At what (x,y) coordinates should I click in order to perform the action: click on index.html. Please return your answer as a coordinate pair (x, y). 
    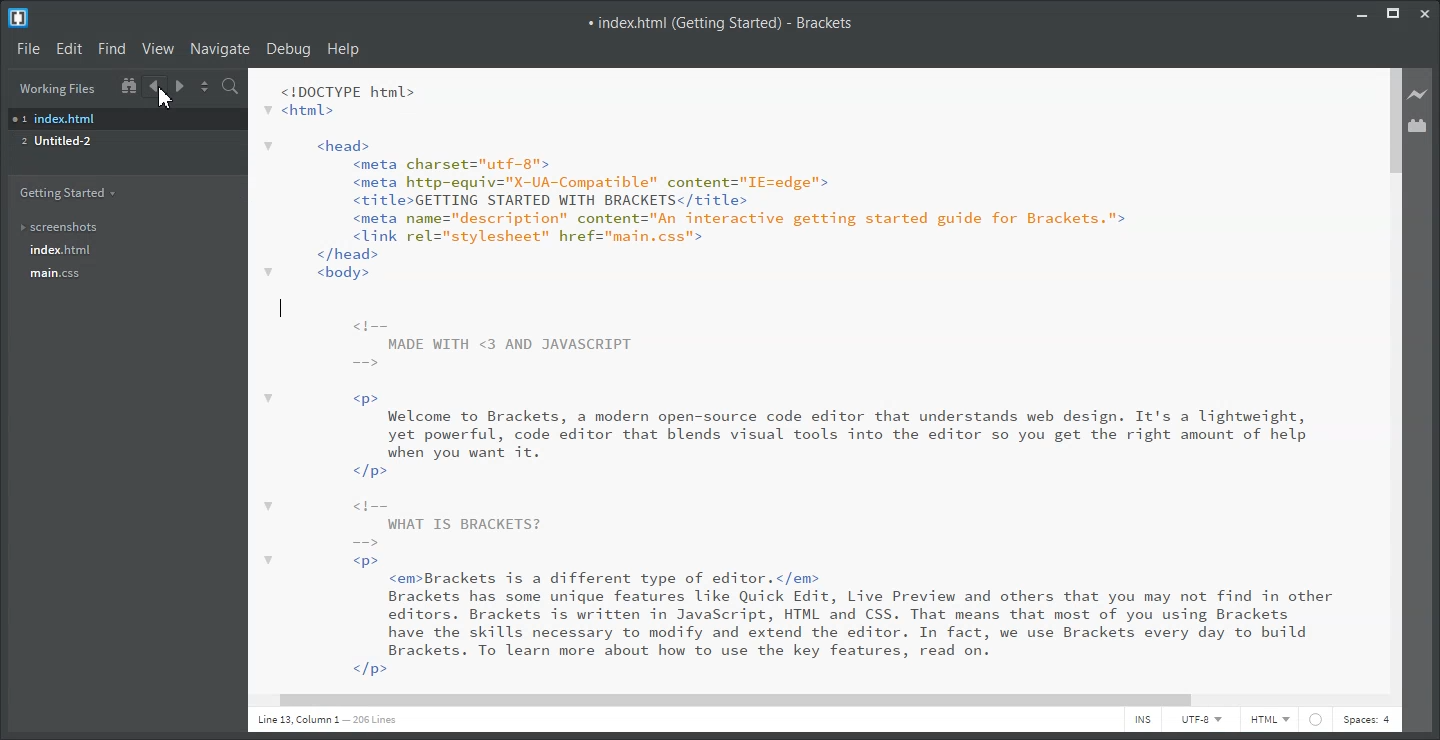
    Looking at the image, I should click on (60, 249).